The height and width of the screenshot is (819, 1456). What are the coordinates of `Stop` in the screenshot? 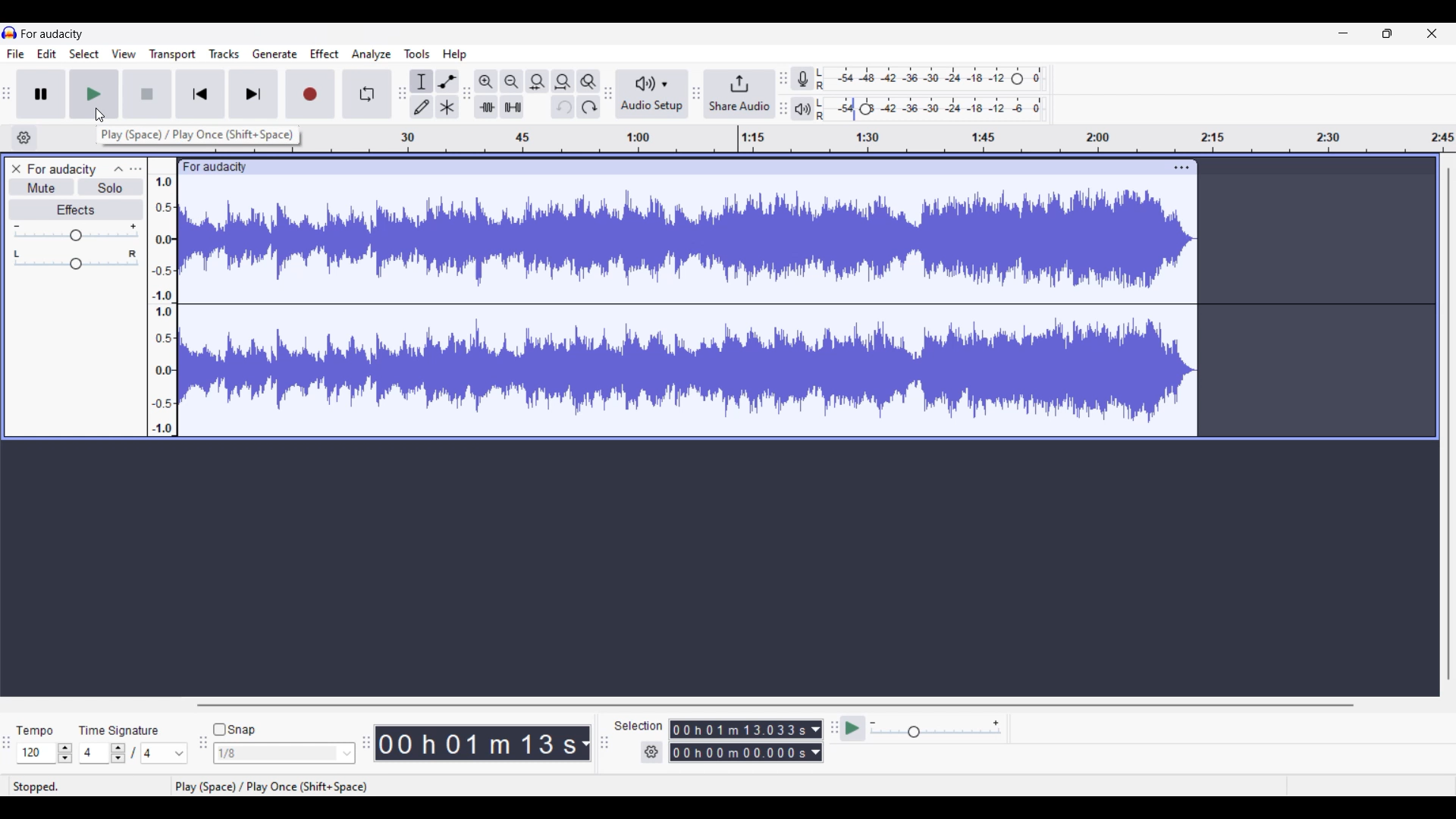 It's located at (146, 94).